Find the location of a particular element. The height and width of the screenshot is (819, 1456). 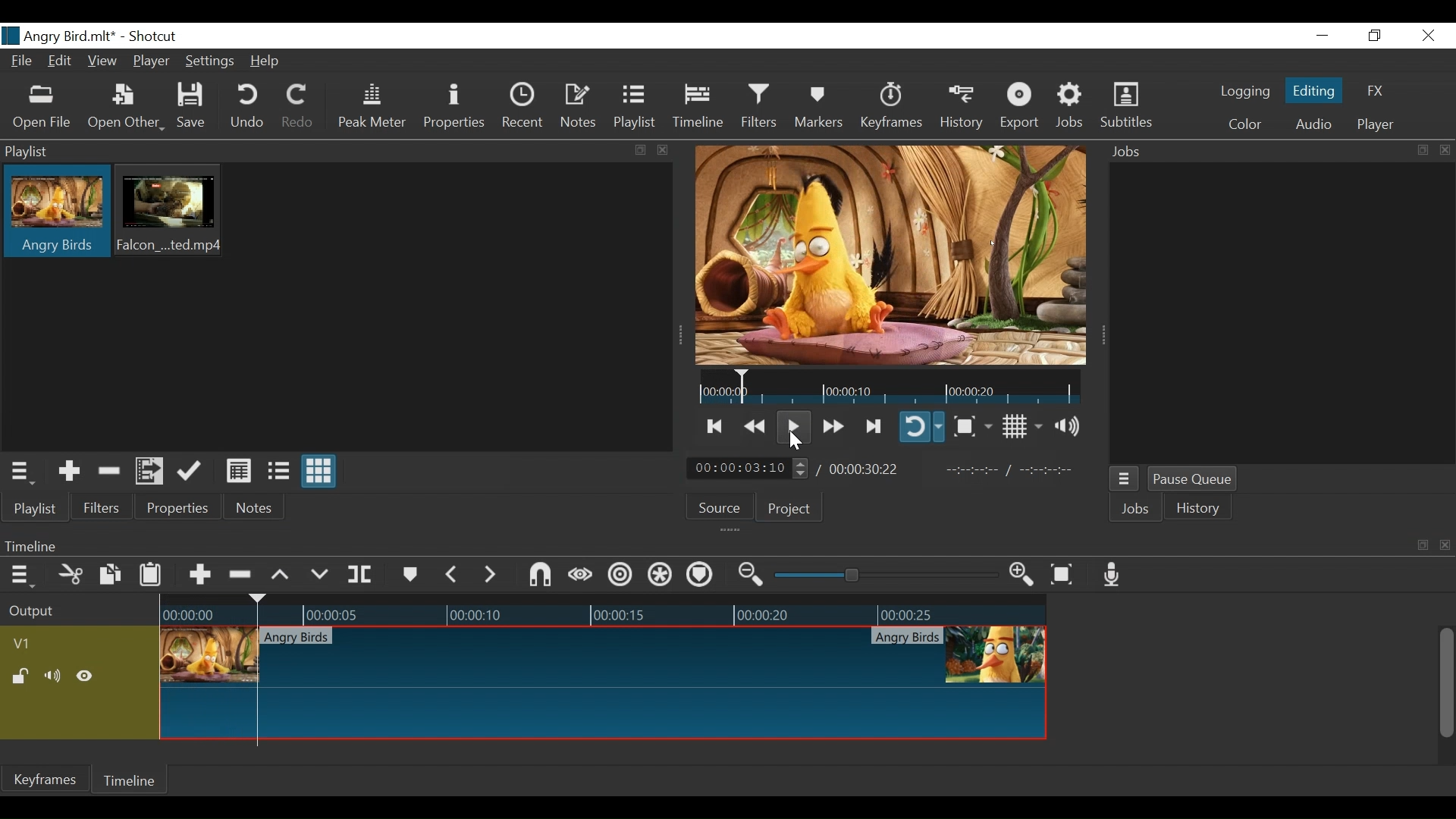

Zoom timeline in is located at coordinates (1021, 576).